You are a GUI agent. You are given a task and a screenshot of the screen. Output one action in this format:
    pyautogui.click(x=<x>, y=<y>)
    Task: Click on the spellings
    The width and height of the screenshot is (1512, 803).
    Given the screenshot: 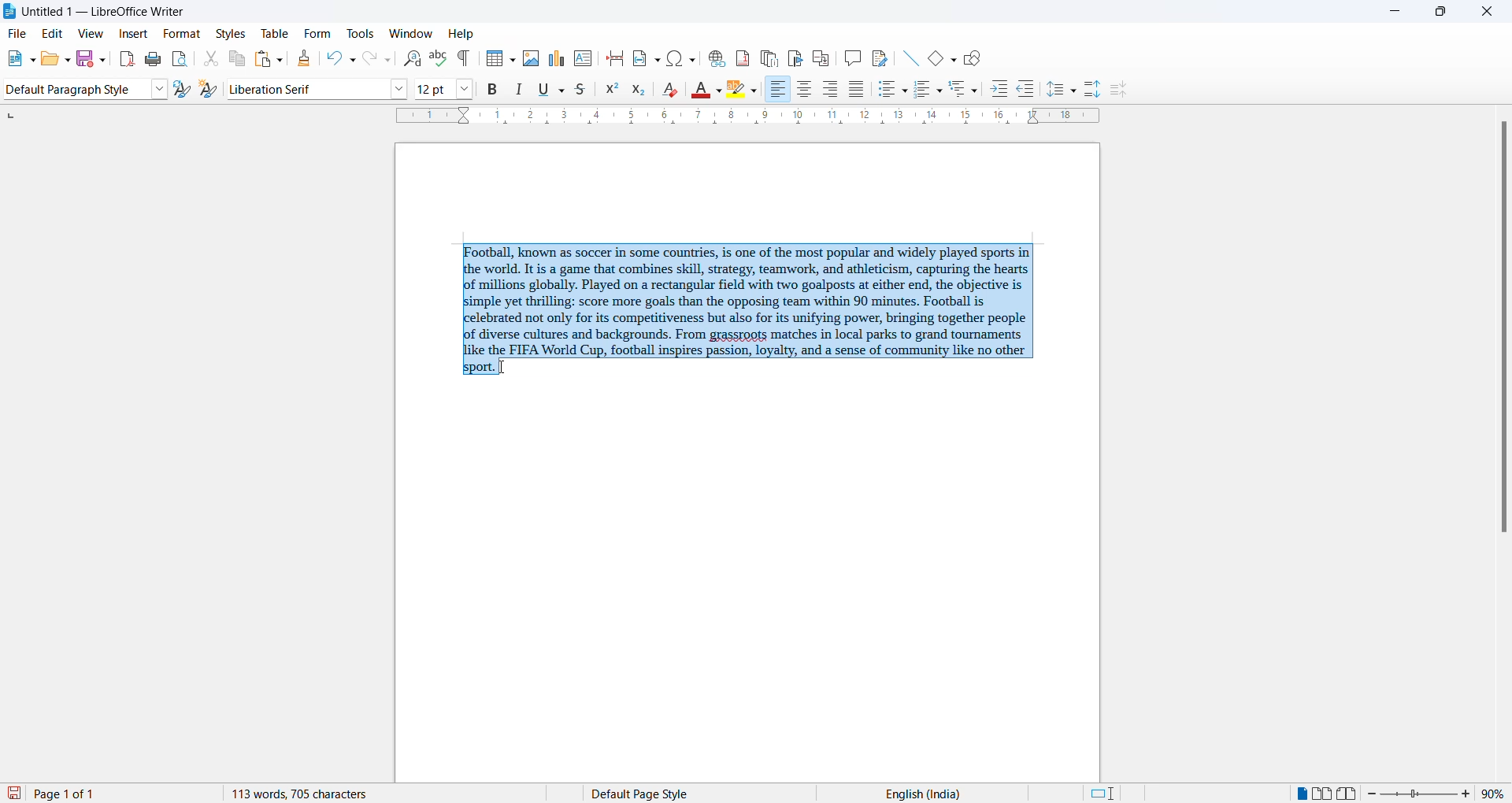 What is the action you would take?
    pyautogui.click(x=440, y=57)
    